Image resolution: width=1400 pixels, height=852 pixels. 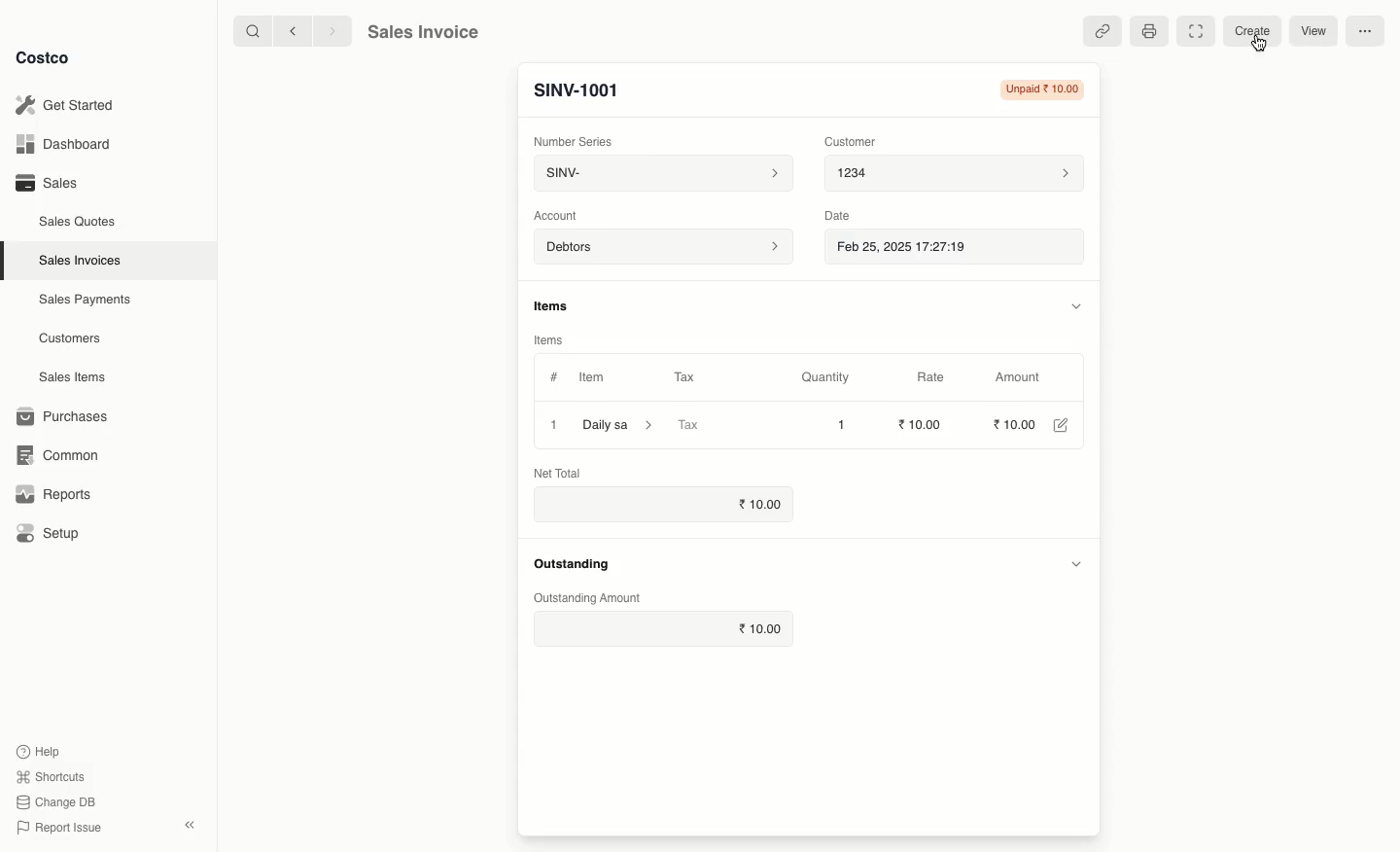 I want to click on Costco, so click(x=45, y=57).